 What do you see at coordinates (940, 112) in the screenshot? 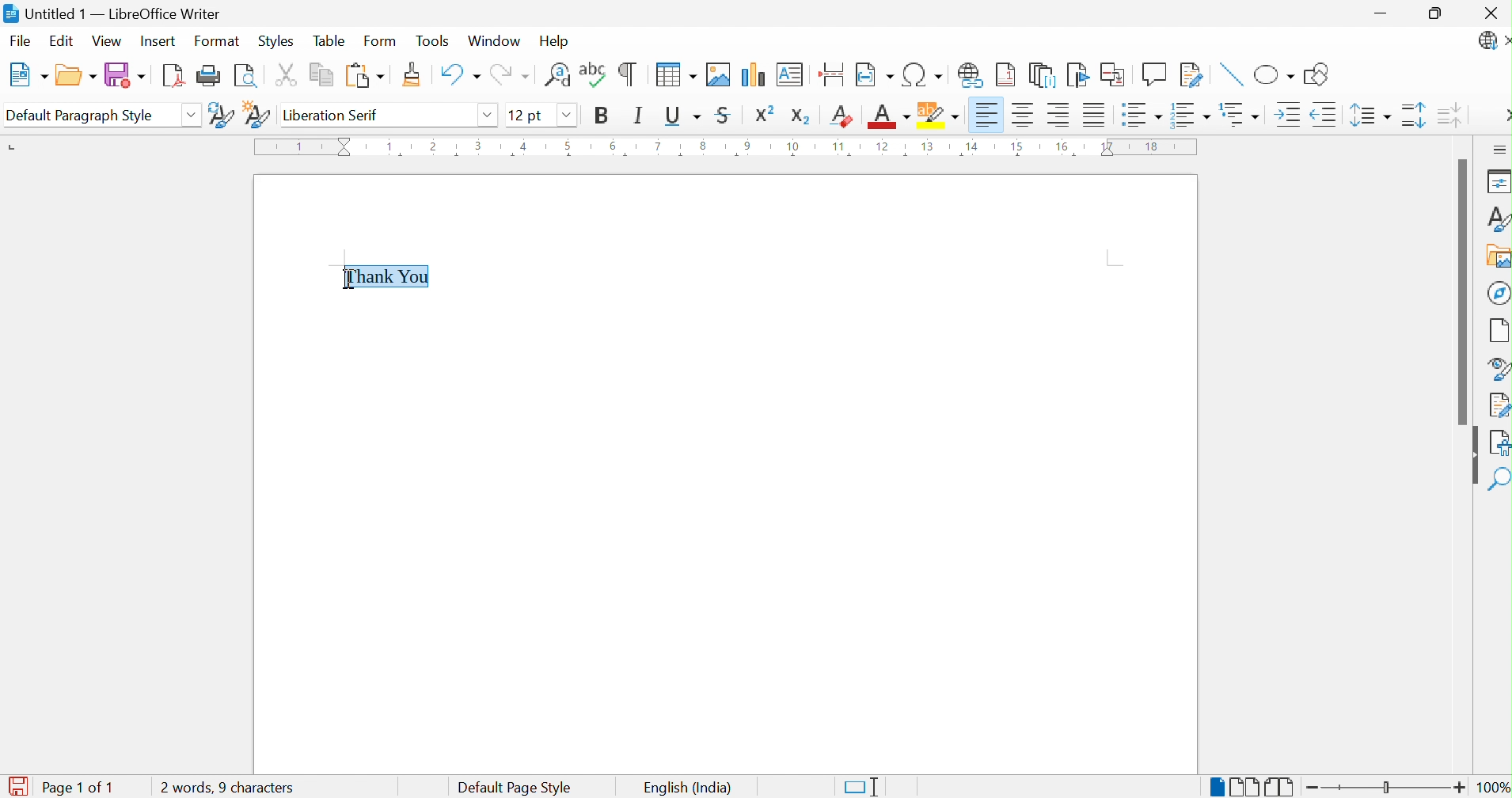
I see `Character Highlighting Color` at bounding box center [940, 112].